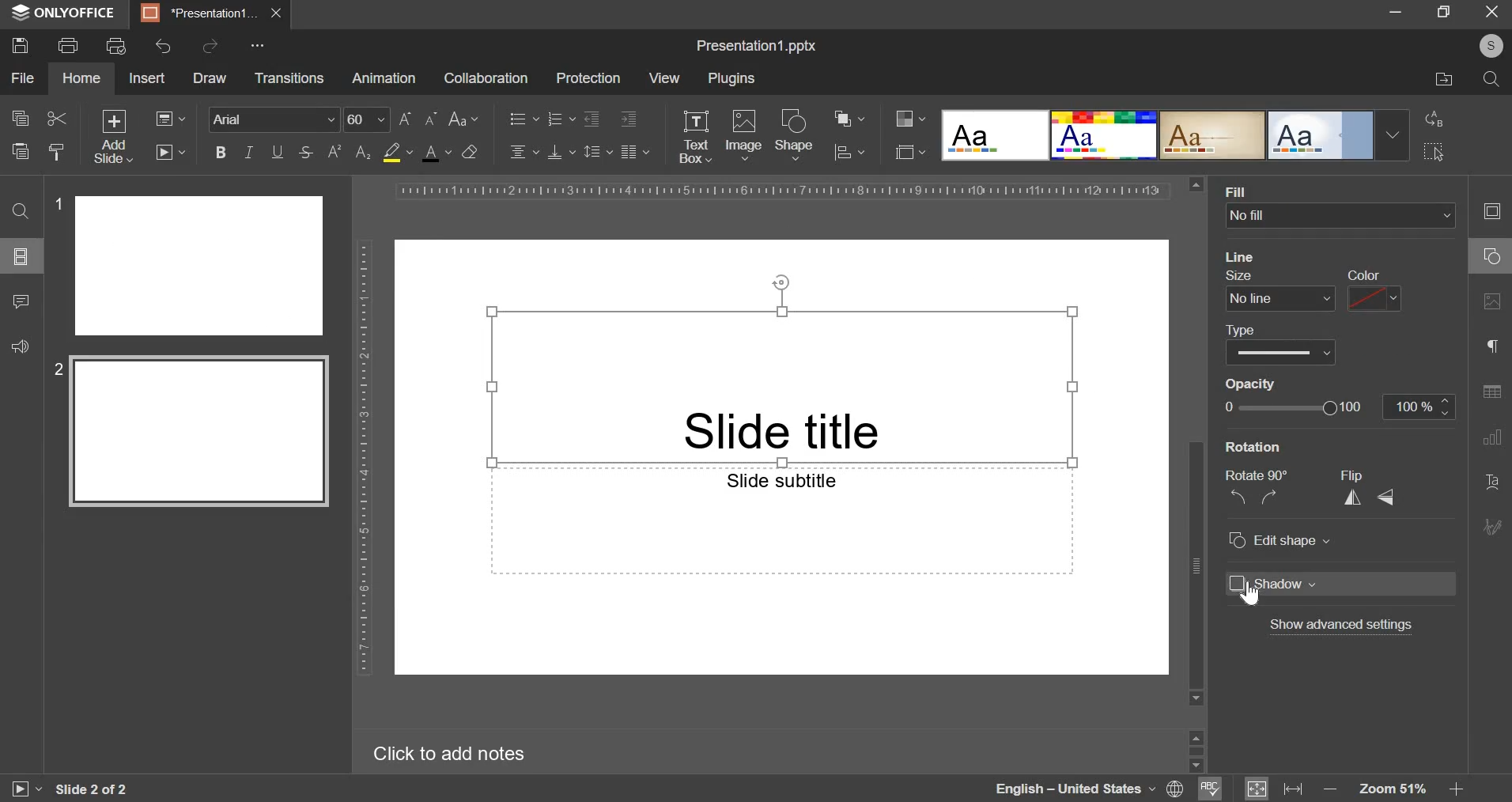 This screenshot has width=1512, height=802. What do you see at coordinates (1495, 482) in the screenshot?
I see `text art settings` at bounding box center [1495, 482].